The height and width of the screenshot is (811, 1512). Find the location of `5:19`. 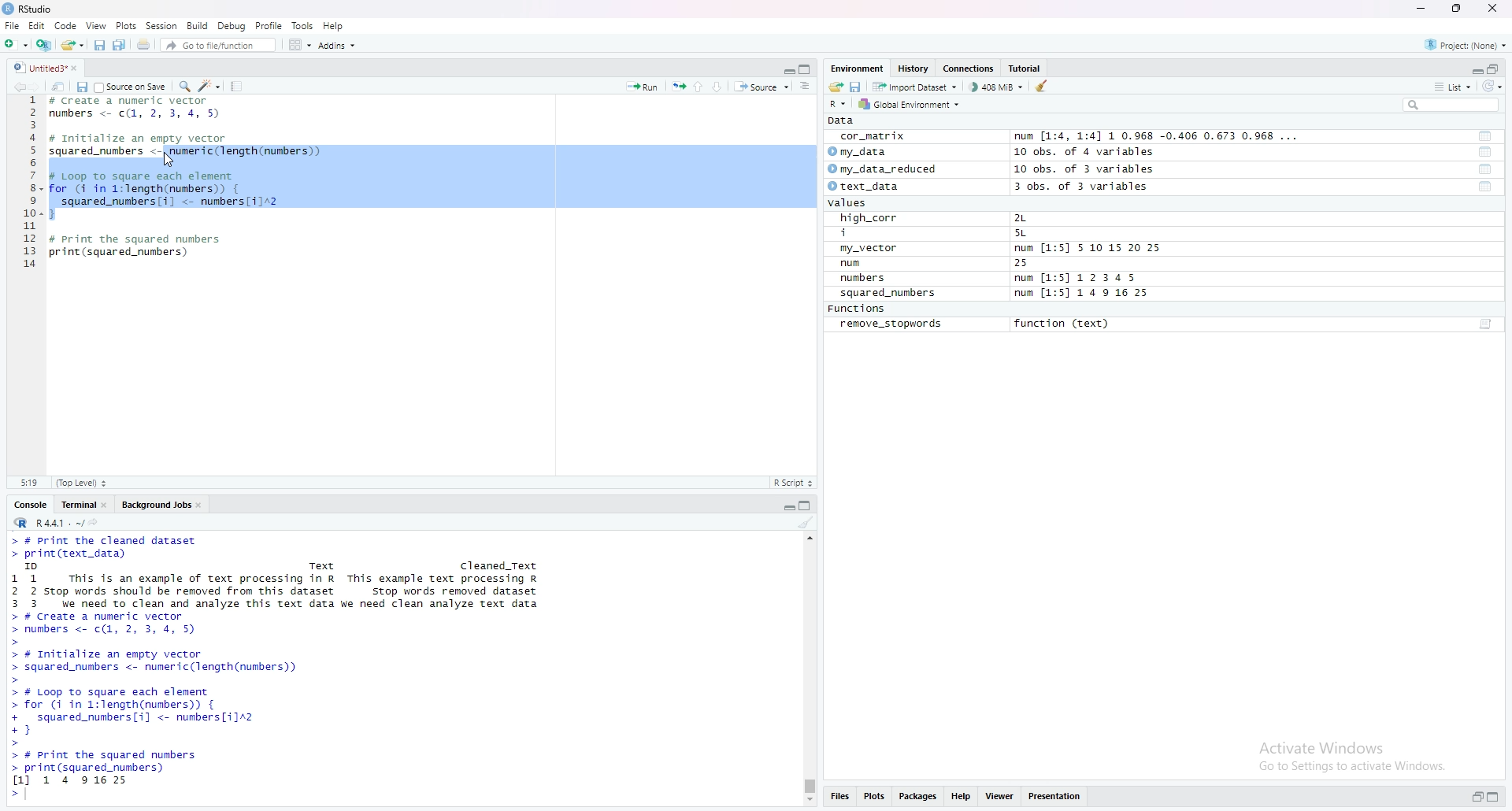

5:19 is located at coordinates (28, 482).